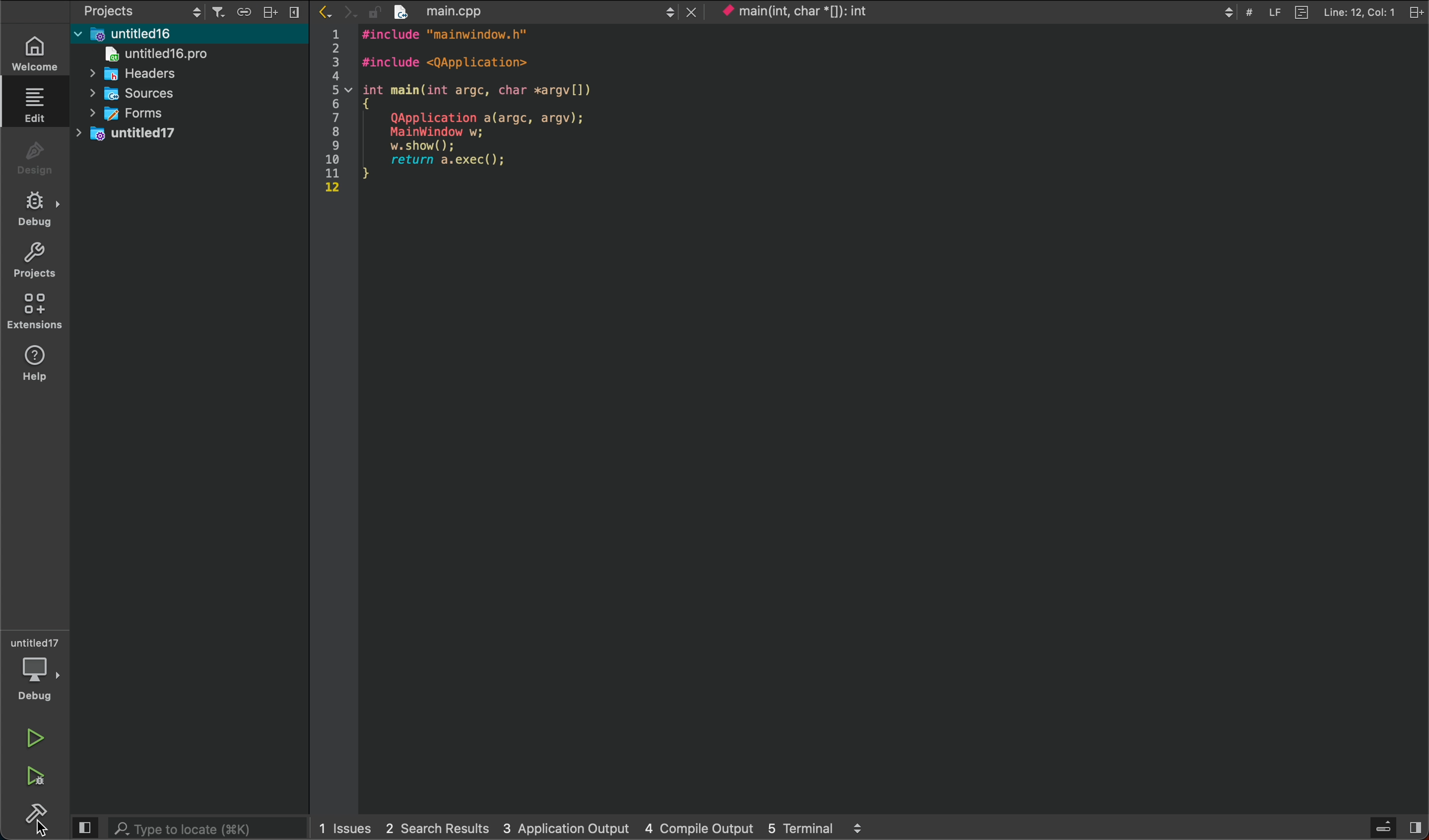  What do you see at coordinates (84, 828) in the screenshot?
I see `side panel` at bounding box center [84, 828].